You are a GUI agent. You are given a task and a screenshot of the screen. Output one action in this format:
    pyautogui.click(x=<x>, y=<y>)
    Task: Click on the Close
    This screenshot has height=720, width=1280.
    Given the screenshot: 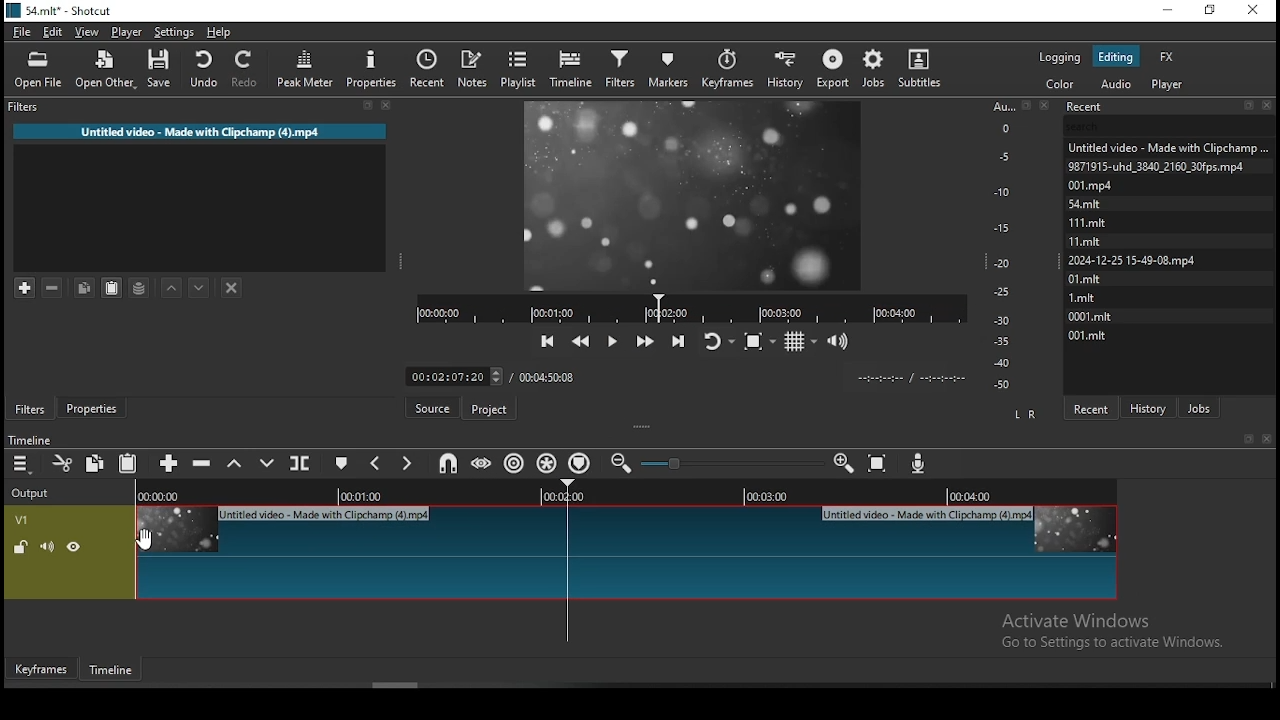 What is the action you would take?
    pyautogui.click(x=1048, y=104)
    